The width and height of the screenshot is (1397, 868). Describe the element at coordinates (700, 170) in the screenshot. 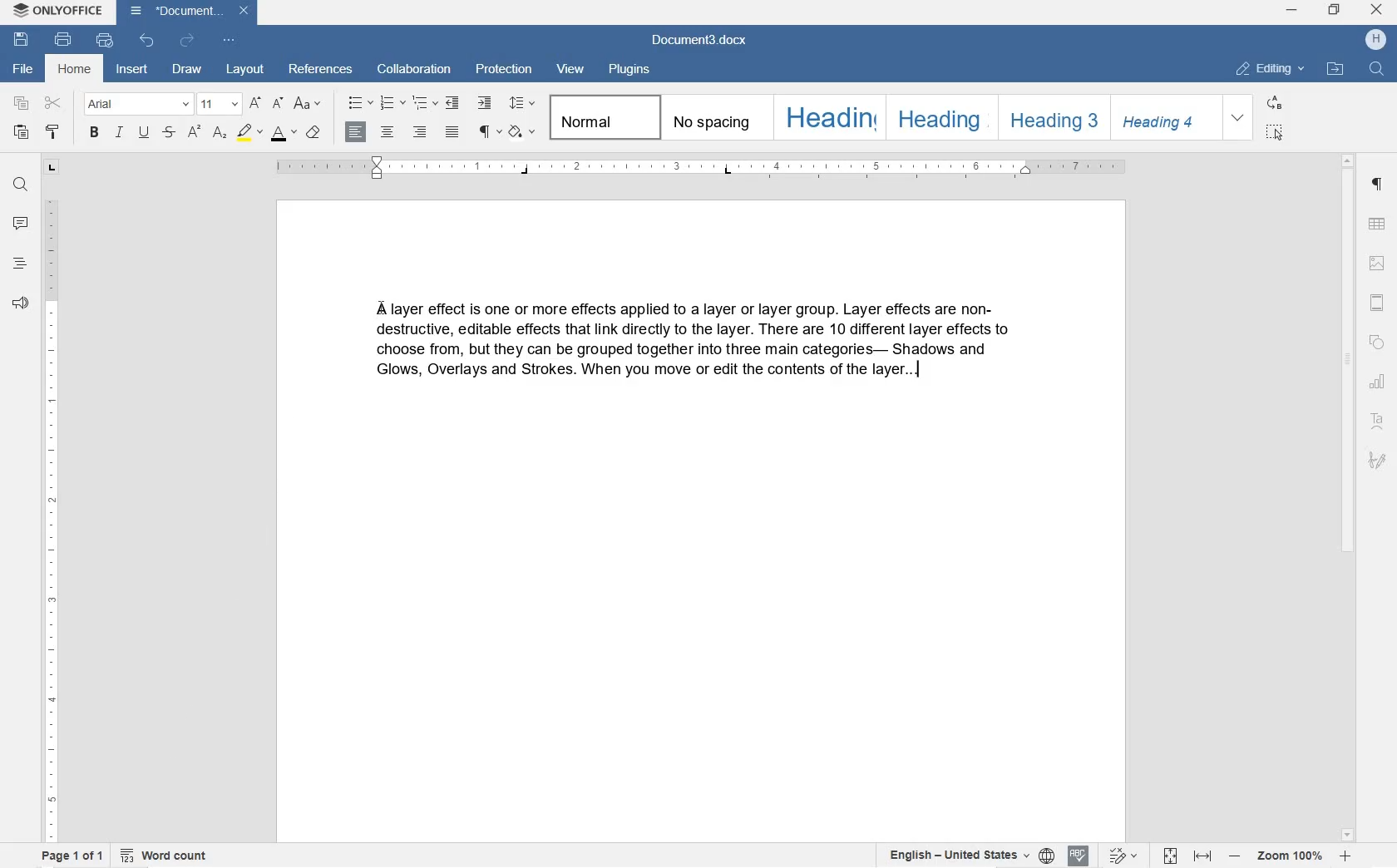

I see `RULER` at that location.